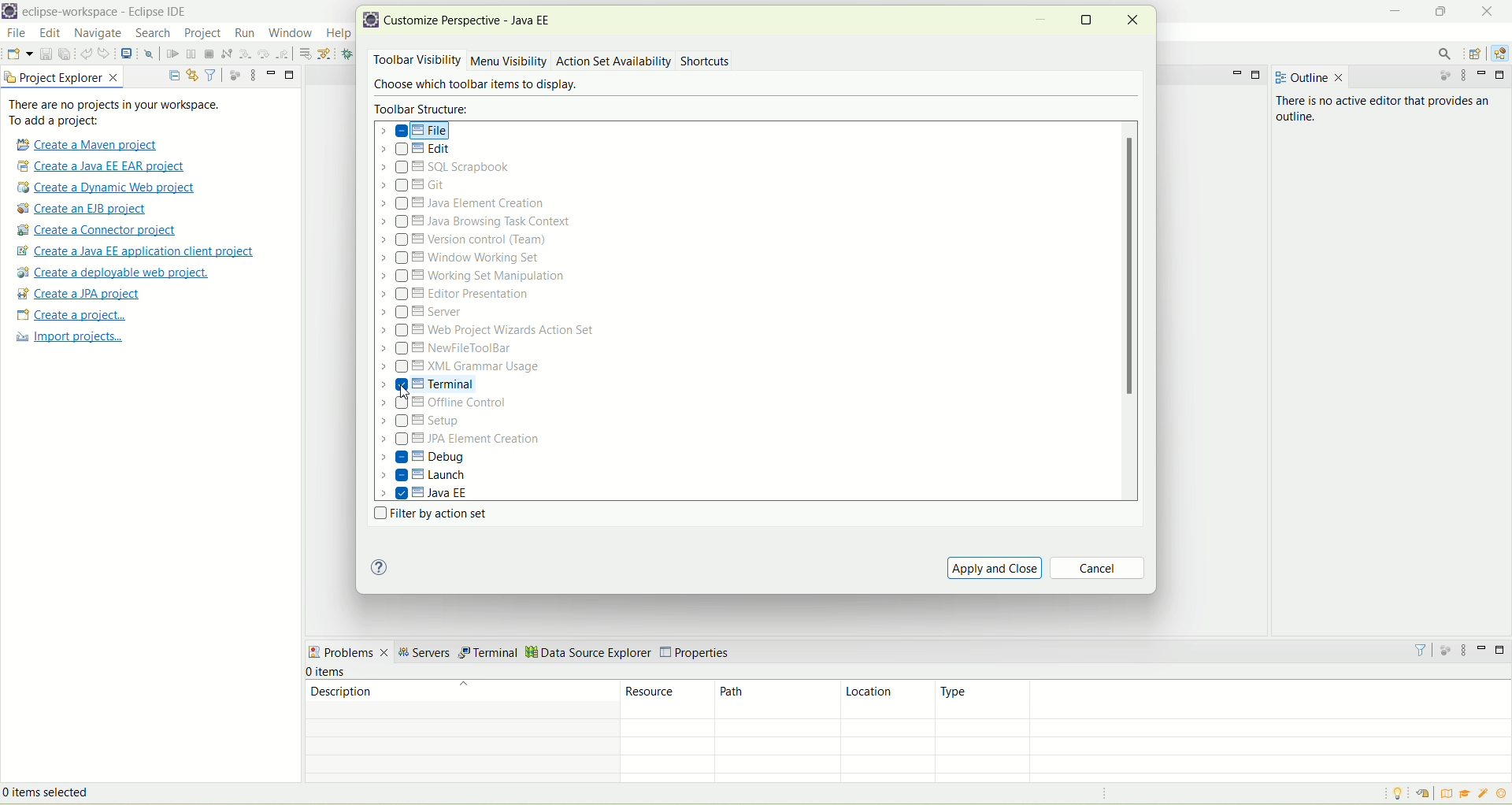  I want to click on maximize, so click(1503, 76).